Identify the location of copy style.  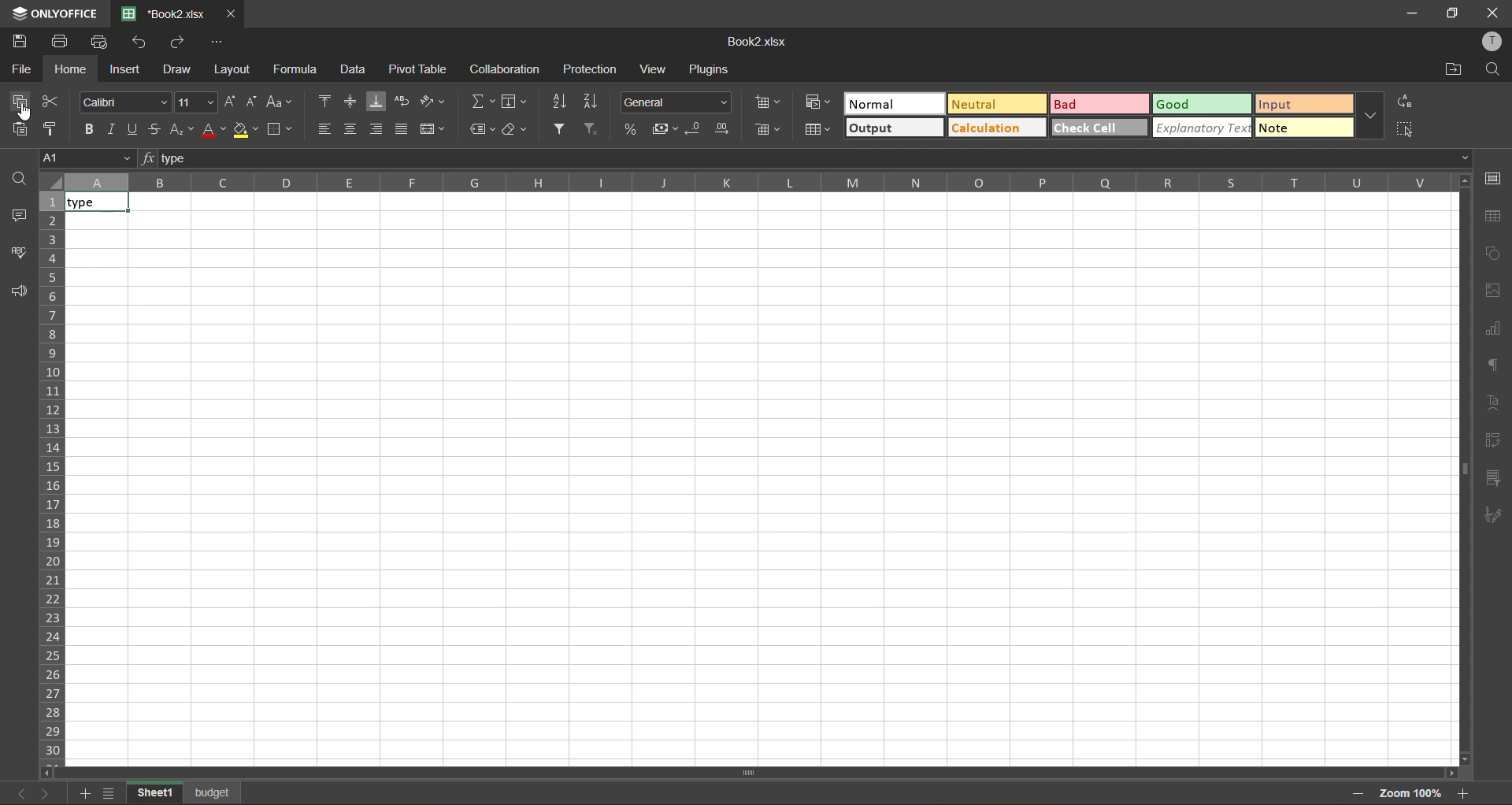
(53, 129).